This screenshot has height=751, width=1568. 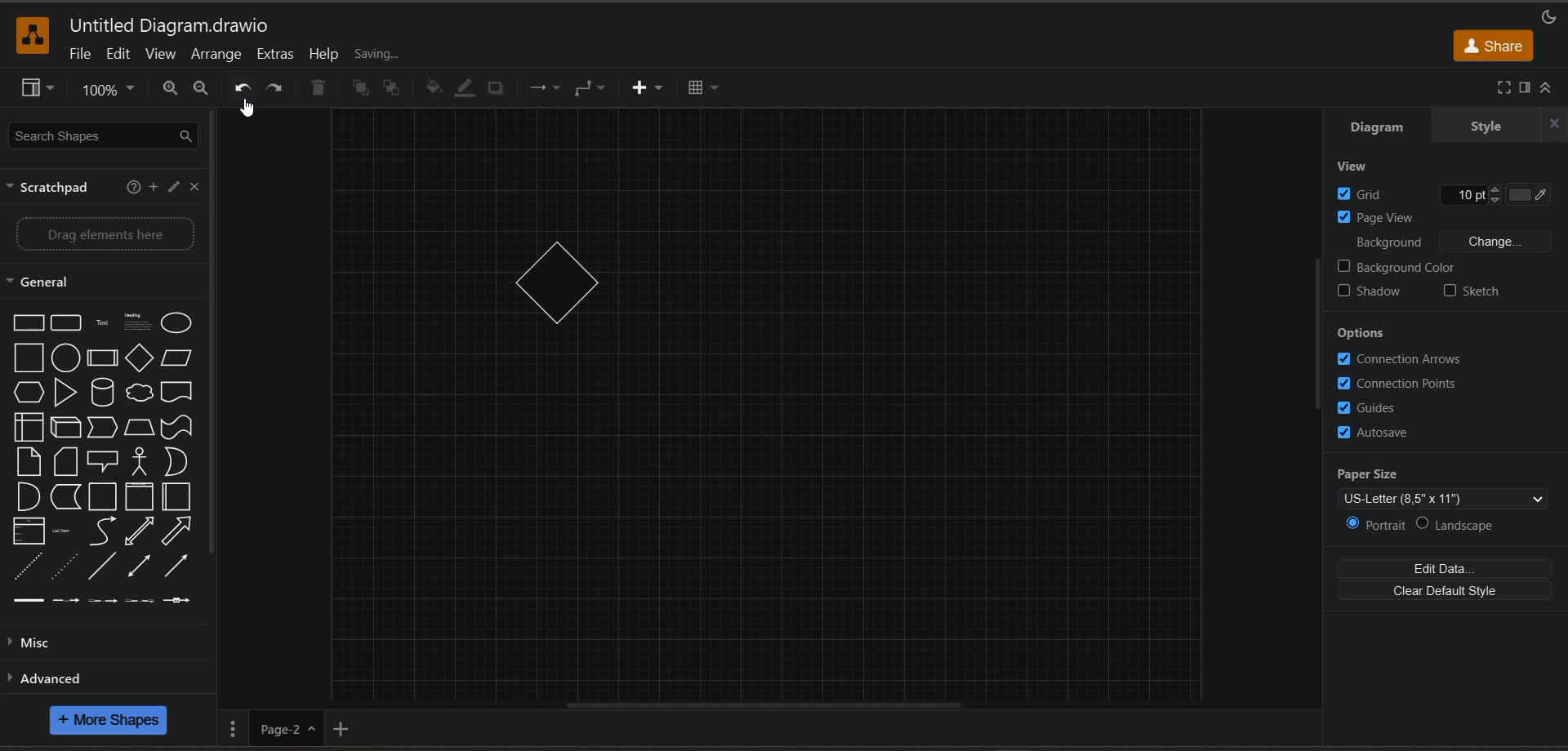 I want to click on waypoints, so click(x=595, y=90).